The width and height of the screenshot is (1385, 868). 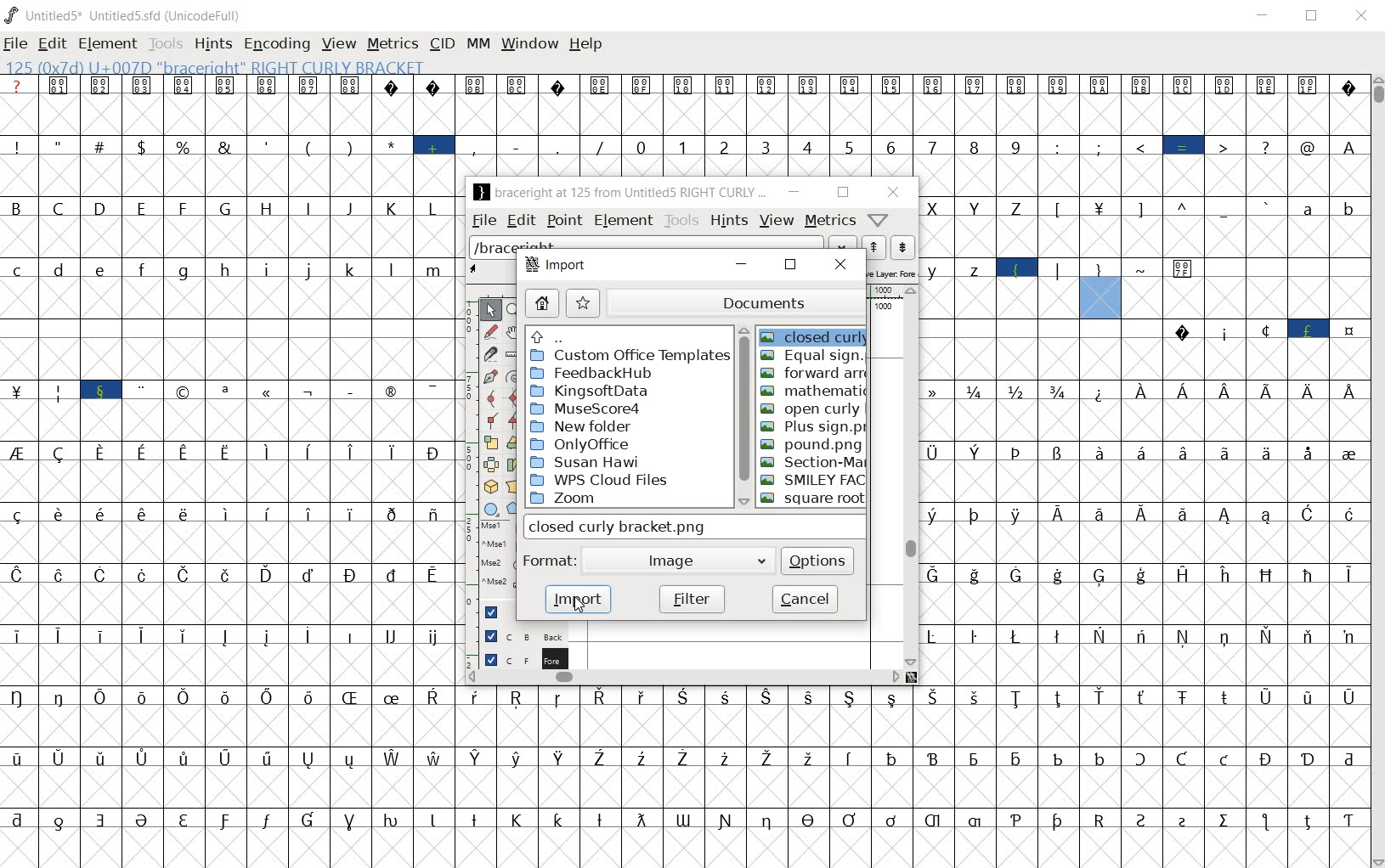 What do you see at coordinates (811, 446) in the screenshot?
I see `pound.png` at bounding box center [811, 446].